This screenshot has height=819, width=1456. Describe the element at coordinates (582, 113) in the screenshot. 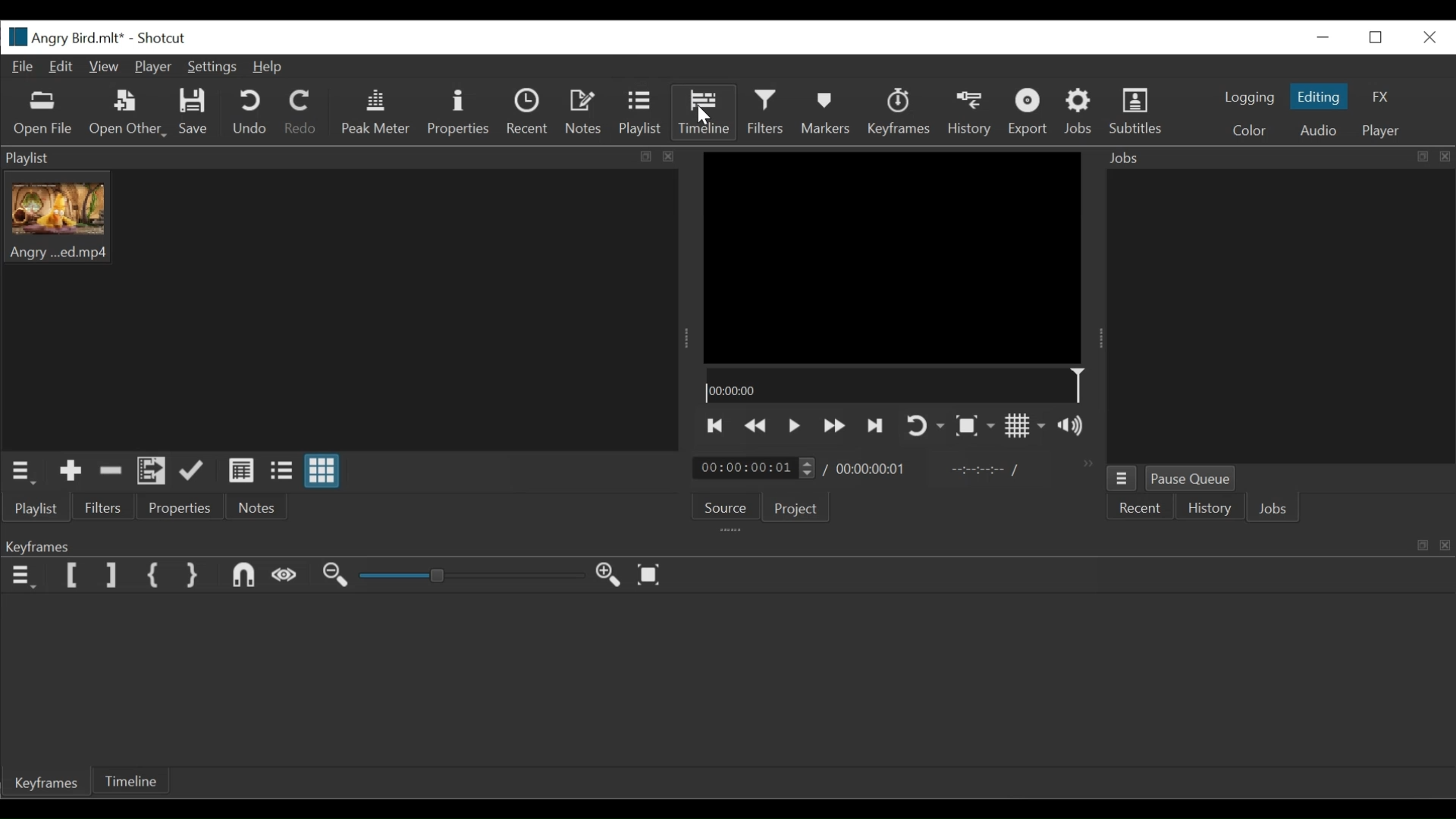

I see `Notes` at that location.